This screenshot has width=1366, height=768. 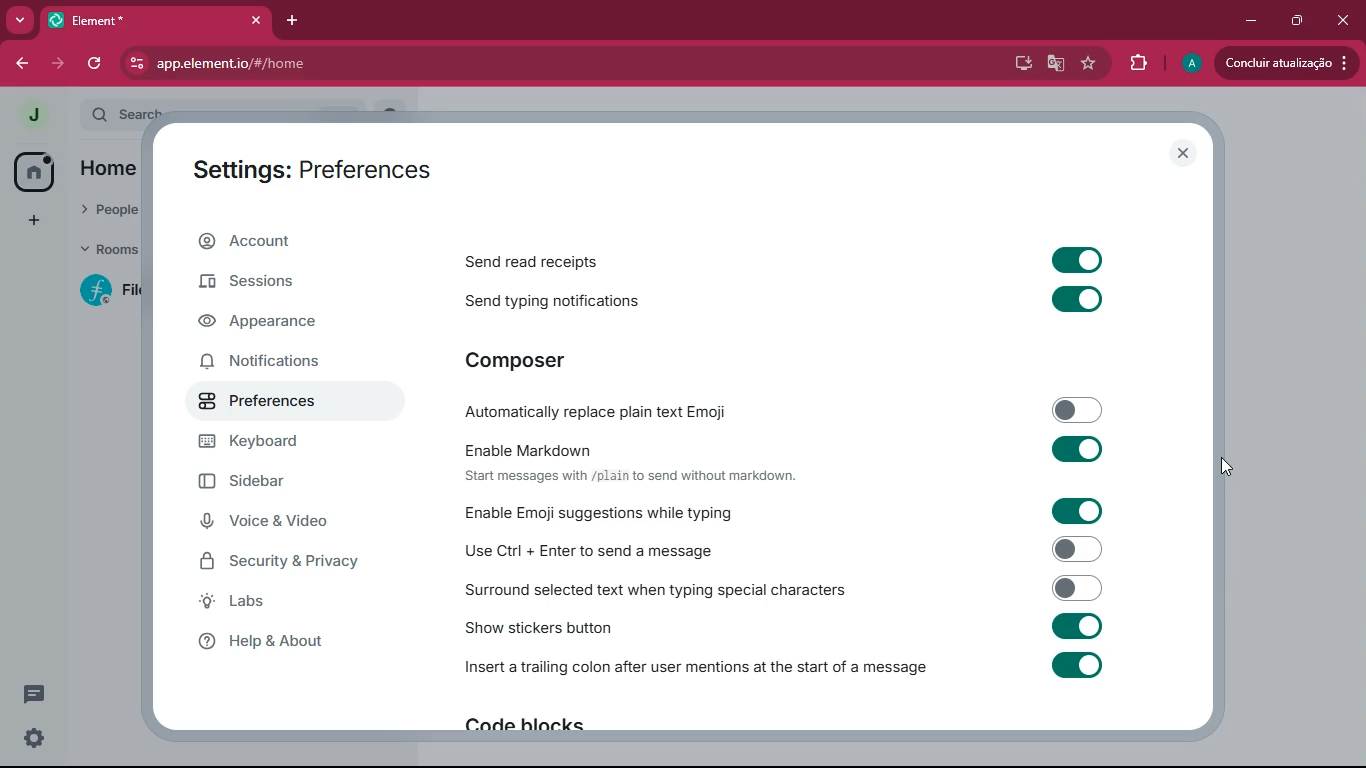 I want to click on search ctrl, so click(x=124, y=112).